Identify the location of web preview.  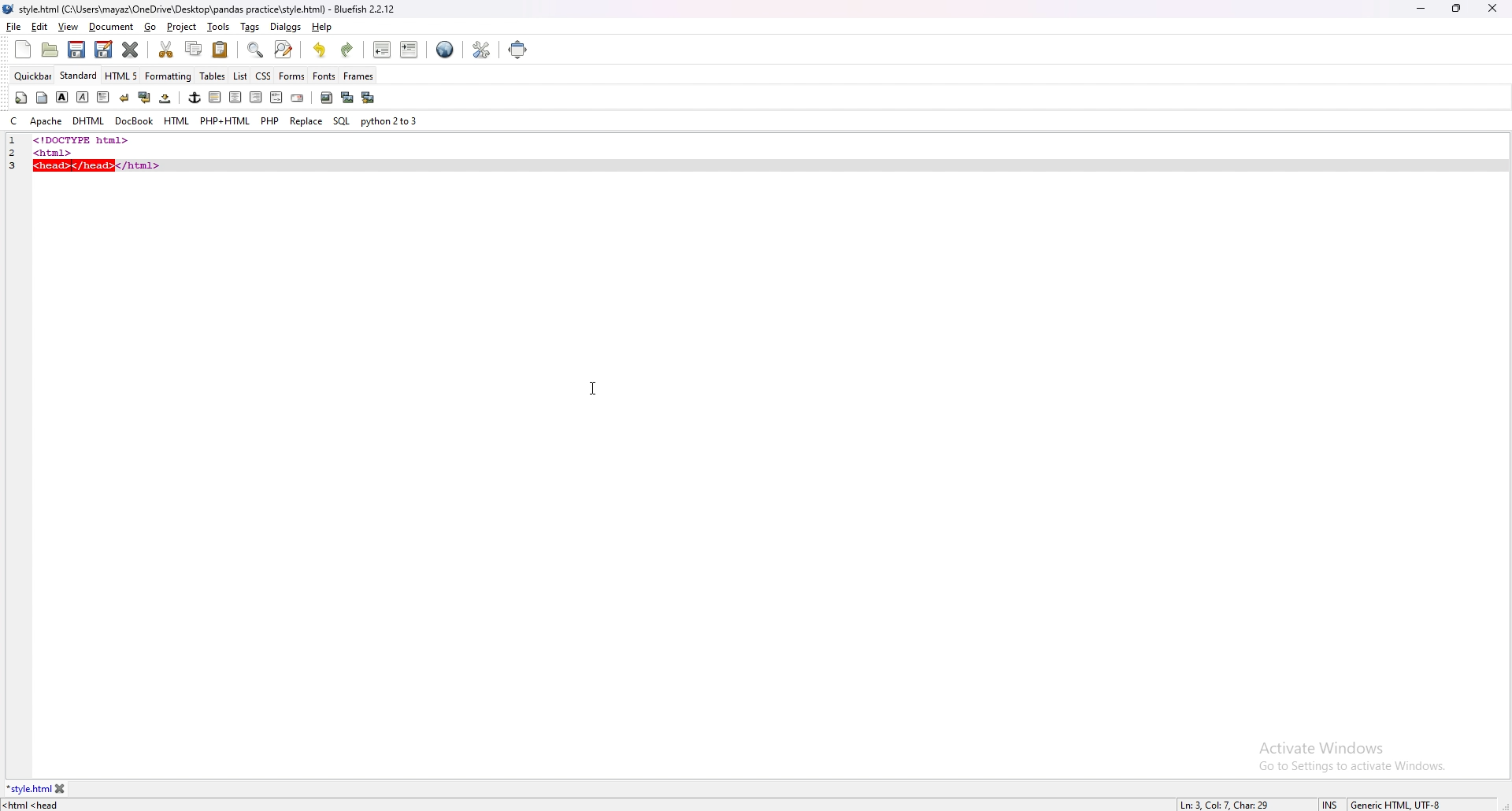
(445, 50).